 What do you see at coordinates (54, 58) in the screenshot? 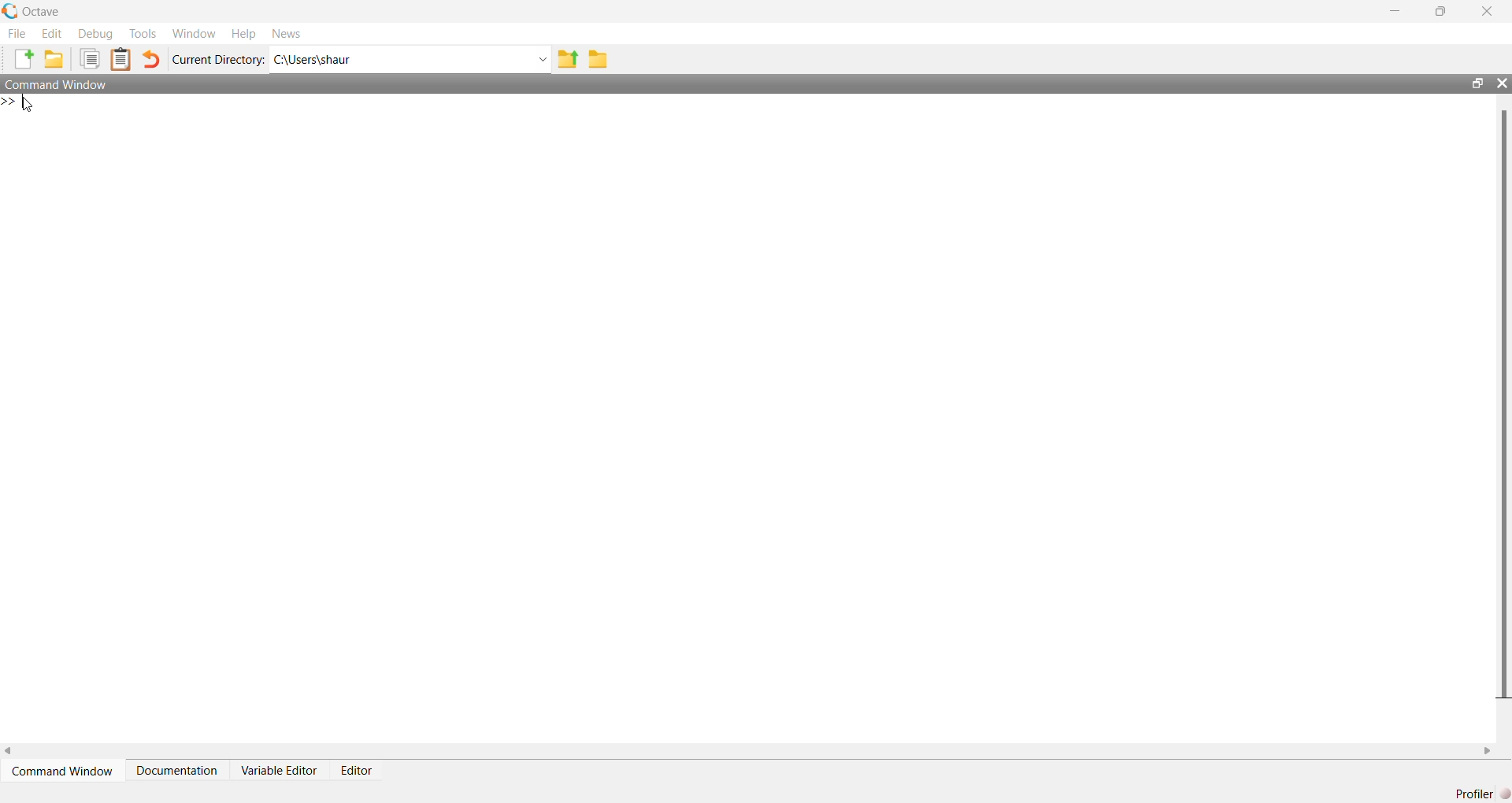
I see `add folder ` at bounding box center [54, 58].